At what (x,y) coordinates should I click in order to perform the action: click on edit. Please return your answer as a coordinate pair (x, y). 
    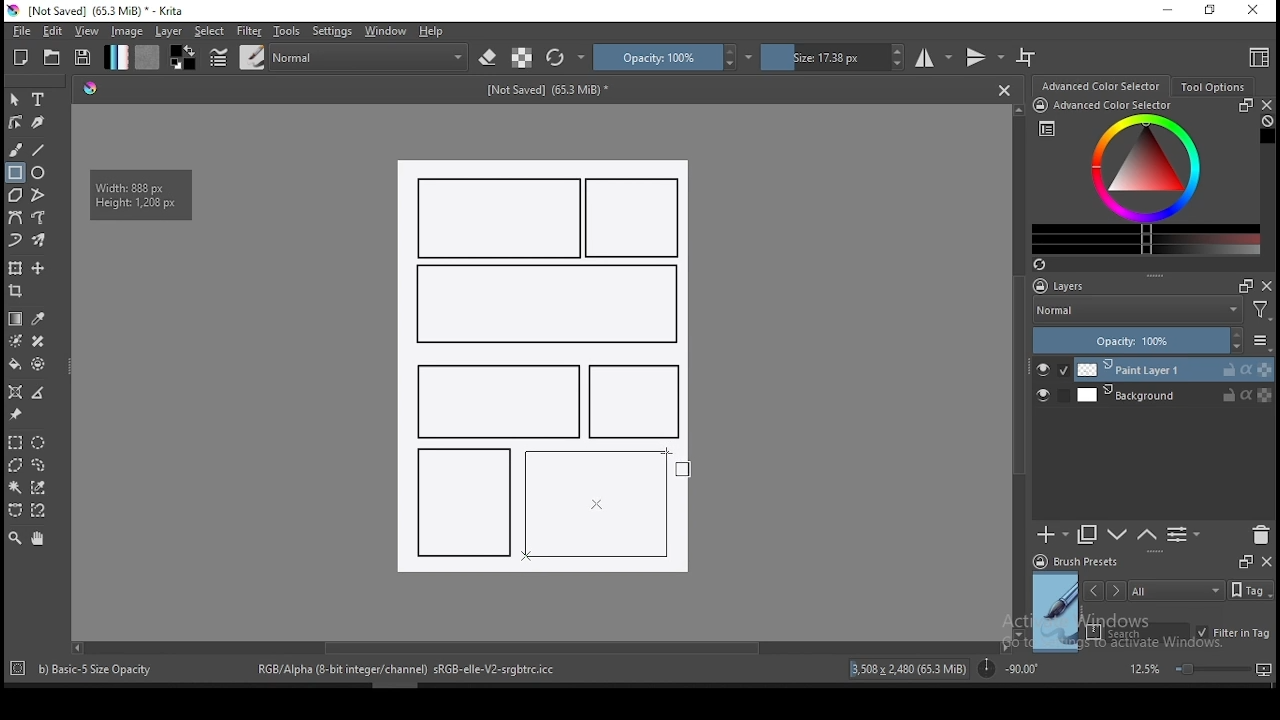
    Looking at the image, I should click on (52, 30).